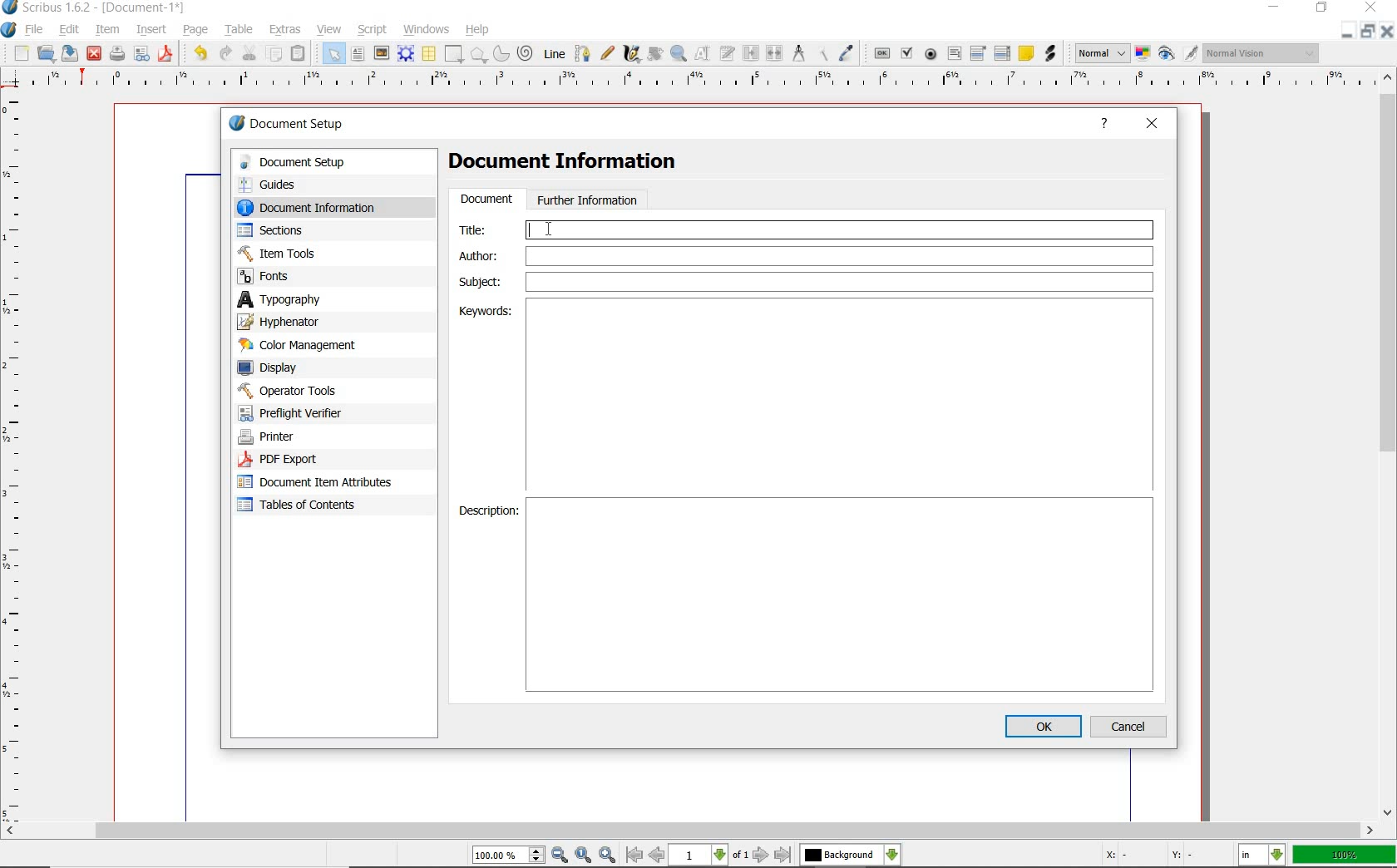  I want to click on link text frames, so click(751, 54).